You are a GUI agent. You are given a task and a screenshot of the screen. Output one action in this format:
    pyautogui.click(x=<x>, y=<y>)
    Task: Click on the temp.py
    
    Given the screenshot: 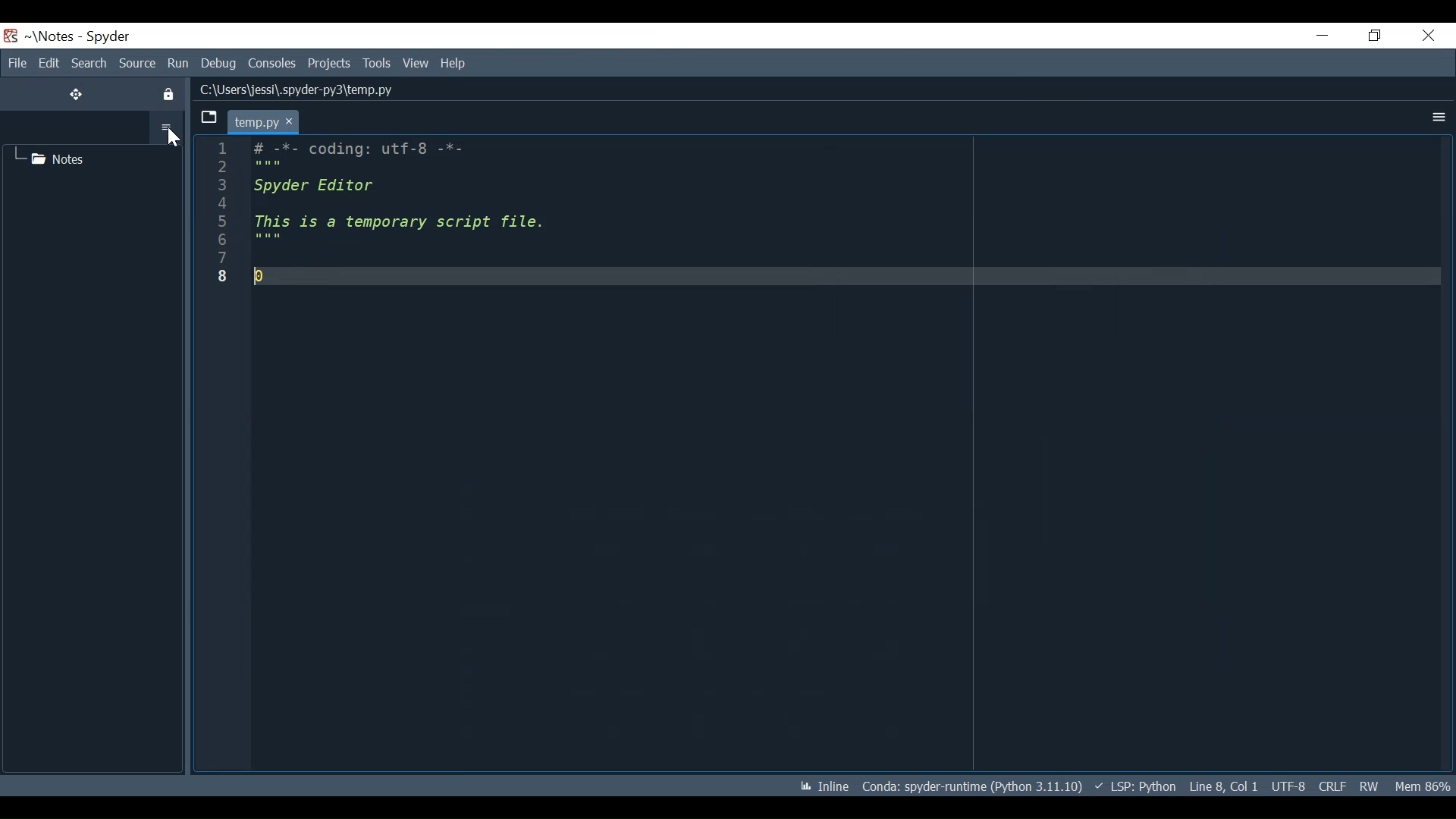 What is the action you would take?
    pyautogui.click(x=277, y=121)
    